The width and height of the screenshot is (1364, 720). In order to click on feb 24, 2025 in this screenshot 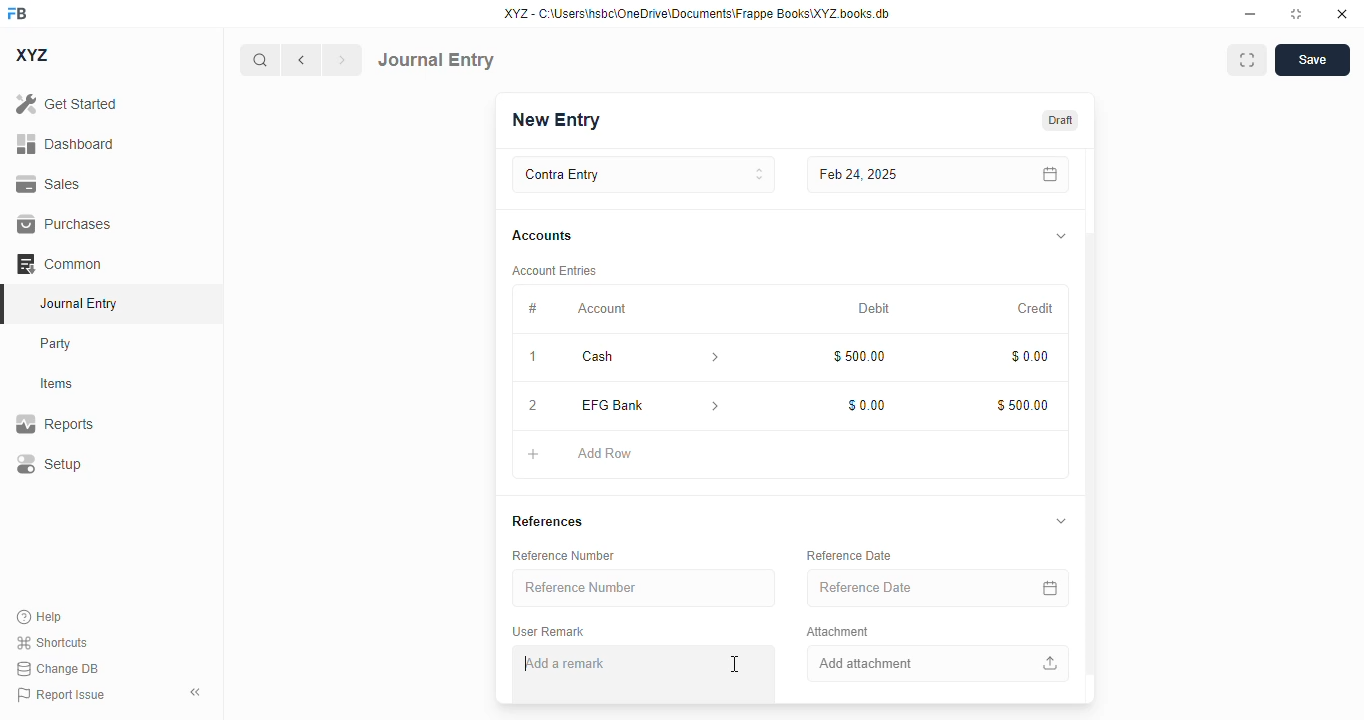, I will do `click(894, 175)`.